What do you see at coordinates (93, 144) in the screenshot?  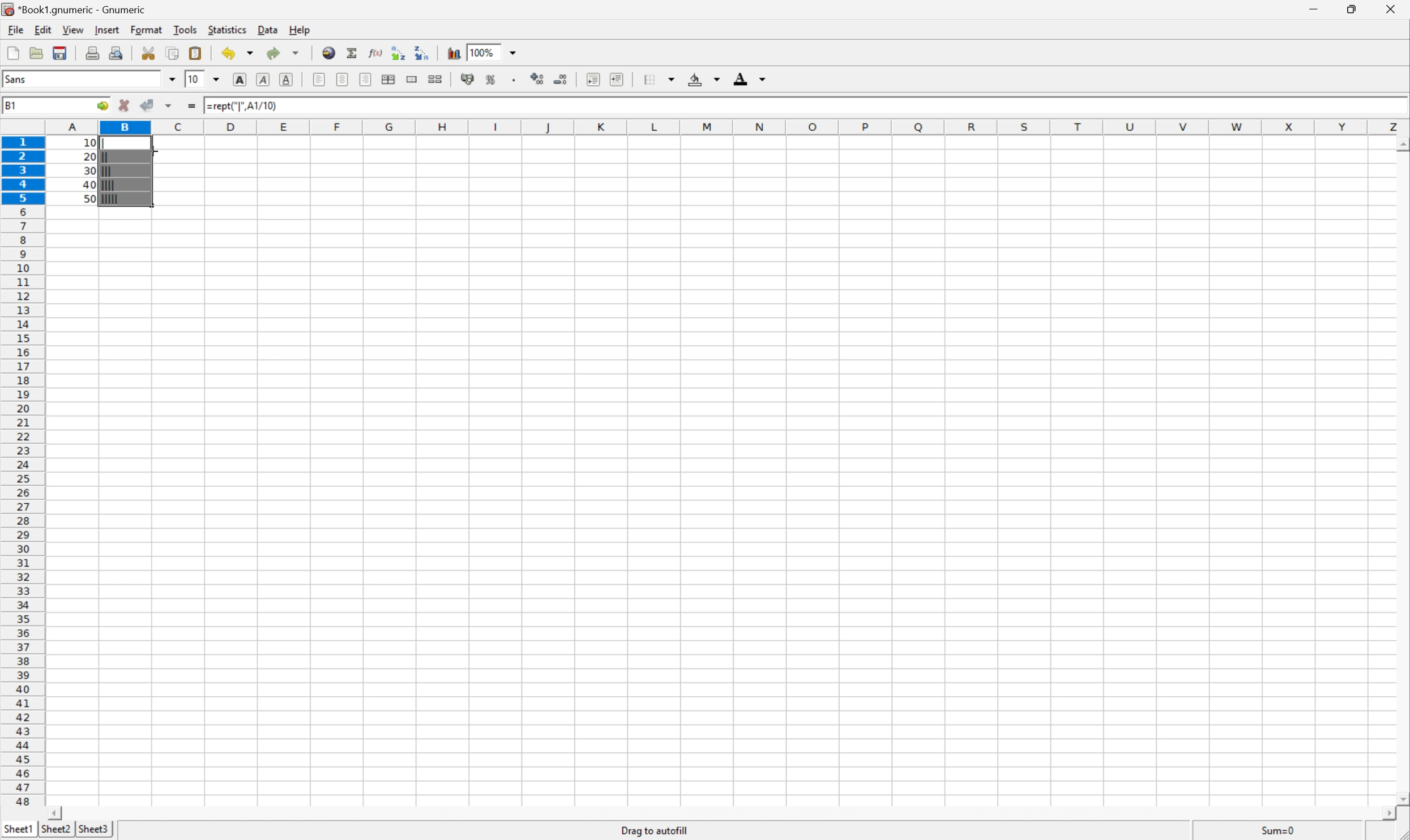 I see `10` at bounding box center [93, 144].